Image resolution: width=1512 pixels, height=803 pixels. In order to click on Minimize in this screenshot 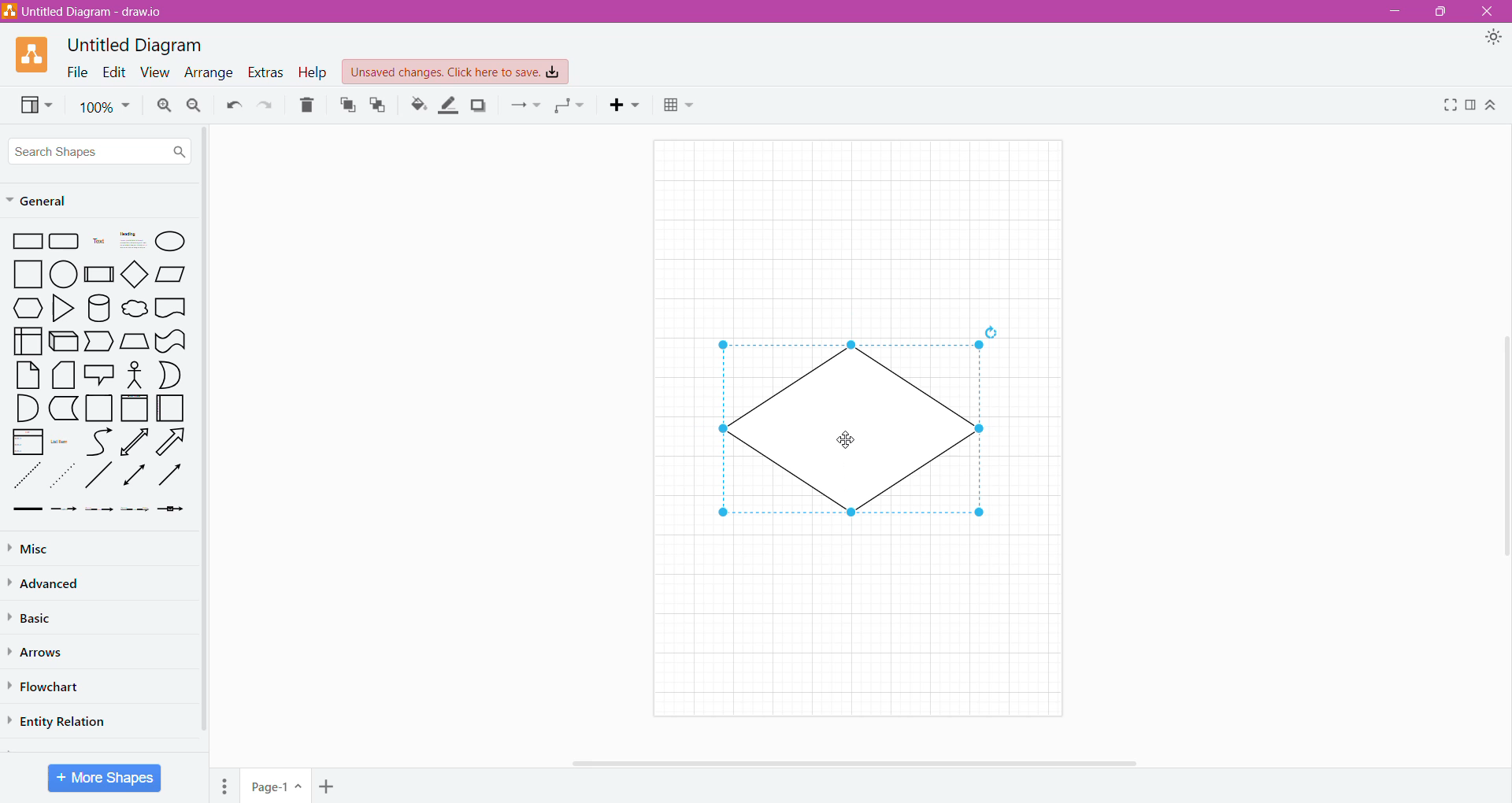, I will do `click(1391, 11)`.